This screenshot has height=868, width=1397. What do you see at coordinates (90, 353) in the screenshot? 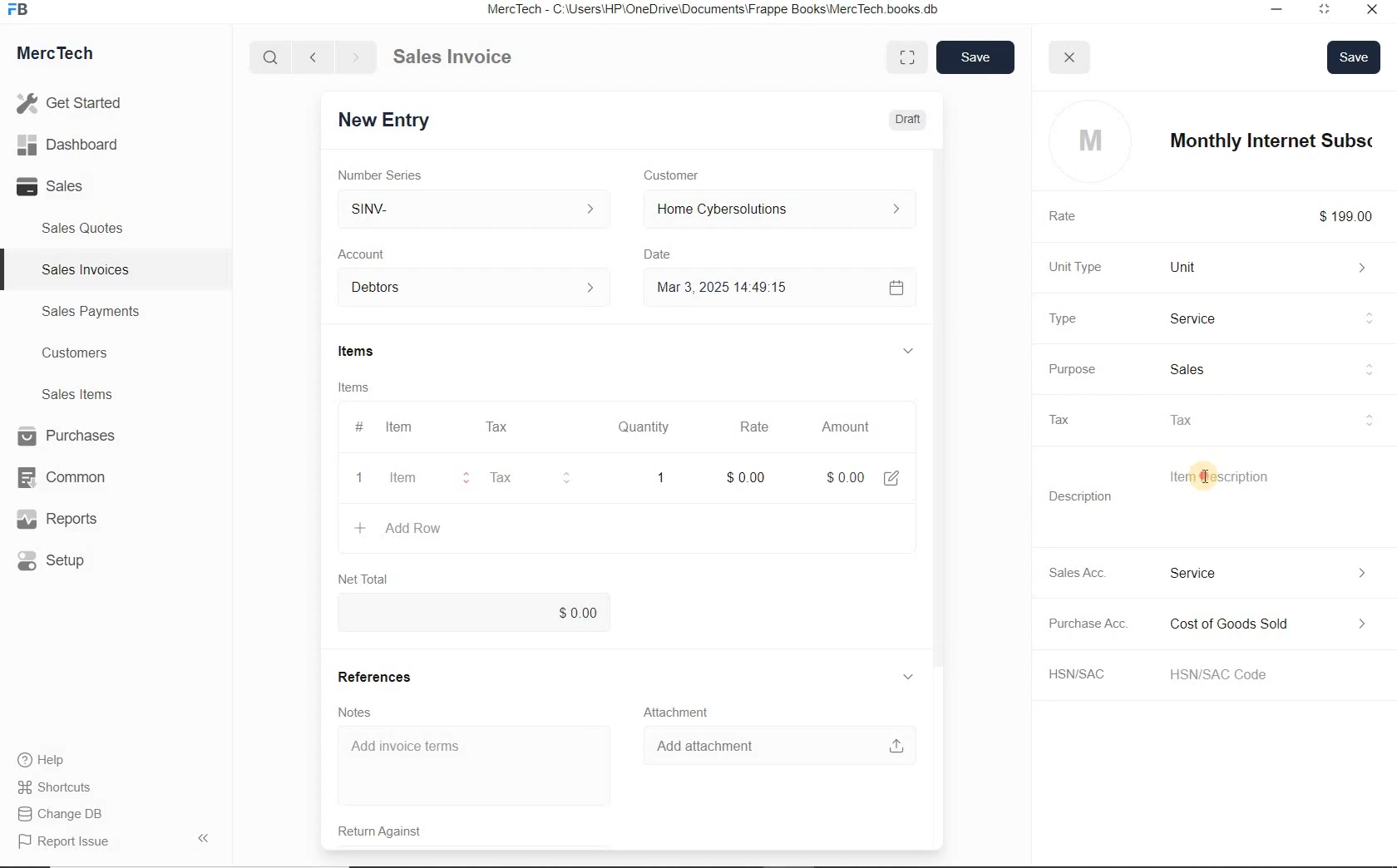
I see `Customers` at bounding box center [90, 353].